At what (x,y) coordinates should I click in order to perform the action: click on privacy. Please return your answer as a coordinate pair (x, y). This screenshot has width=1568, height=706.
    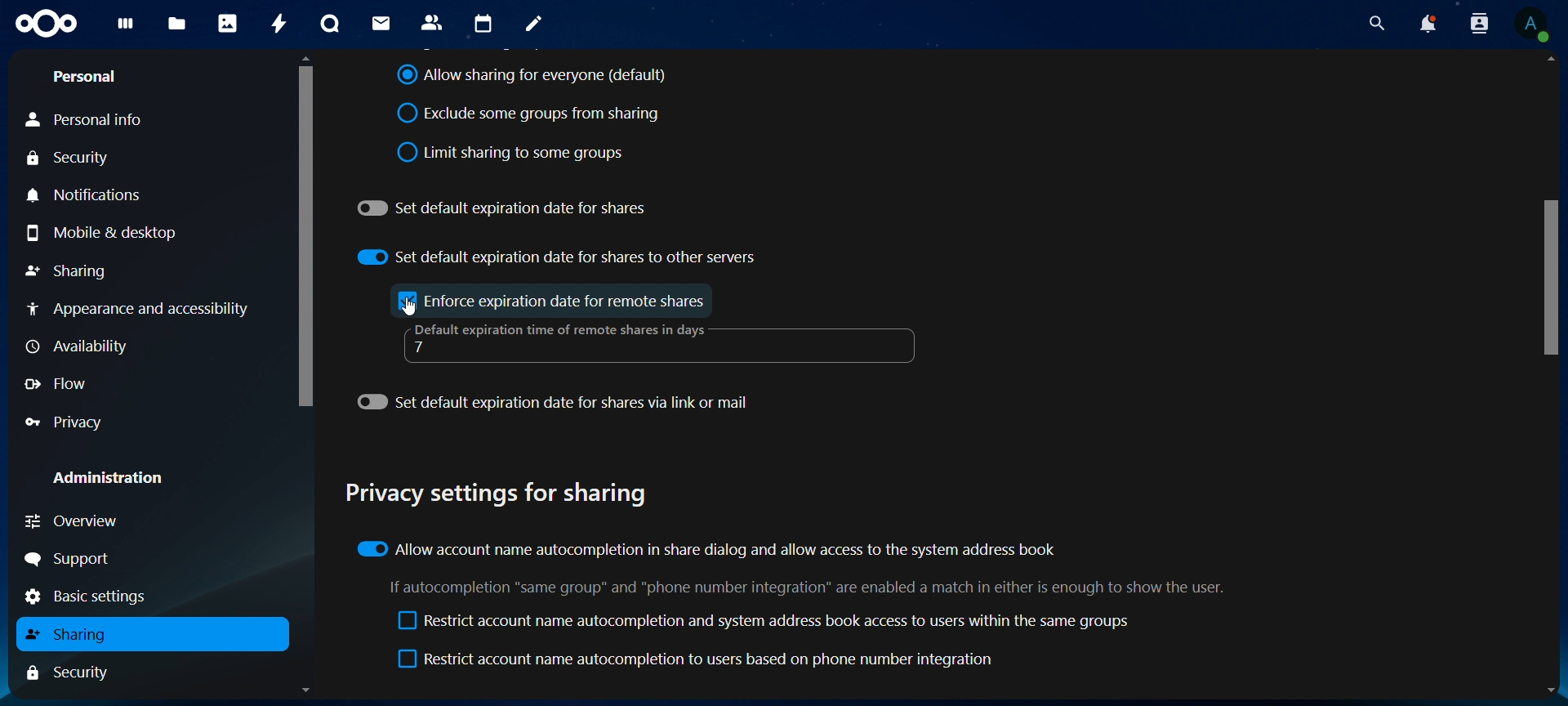
    Looking at the image, I should click on (68, 422).